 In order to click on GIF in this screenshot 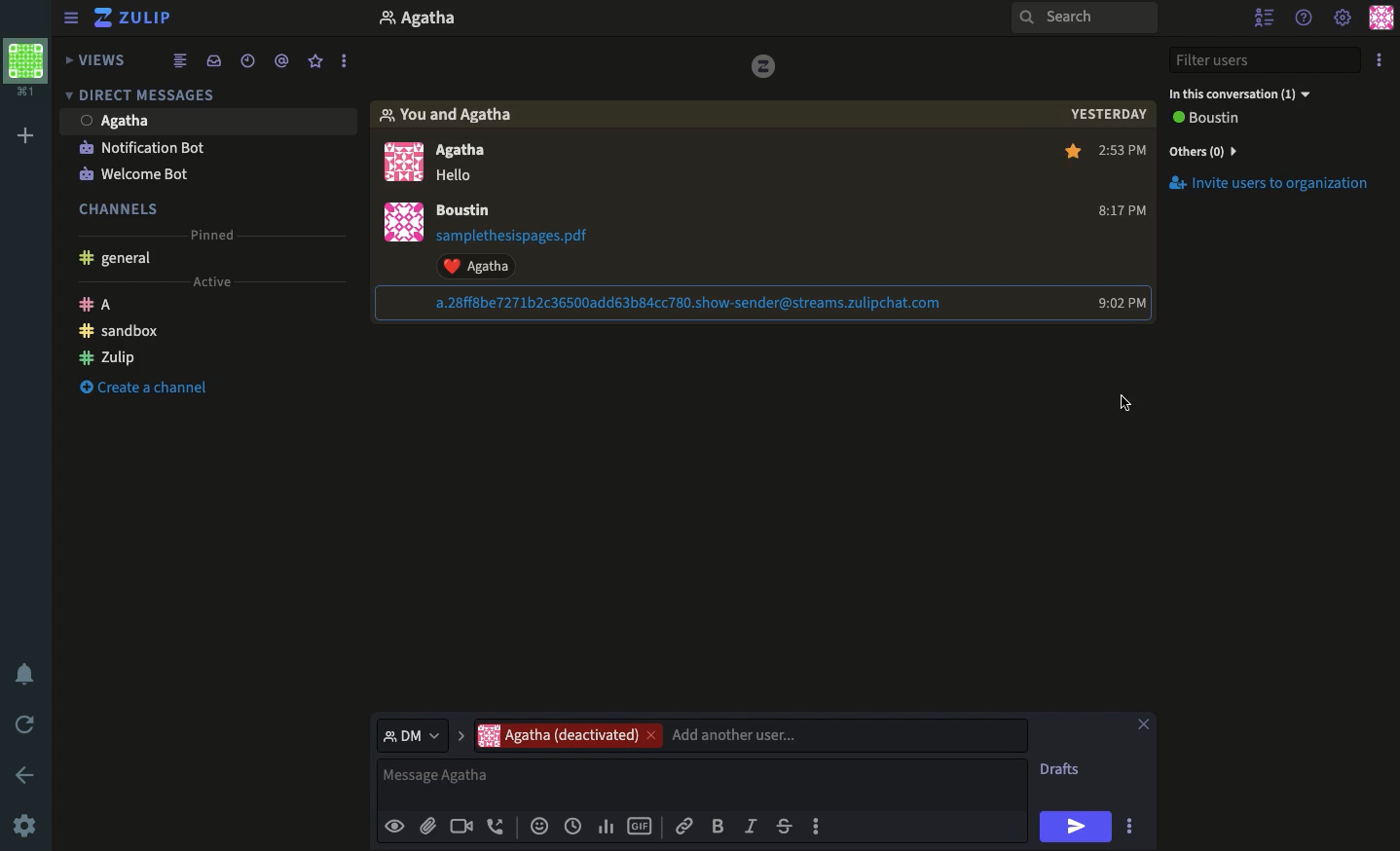, I will do `click(641, 827)`.